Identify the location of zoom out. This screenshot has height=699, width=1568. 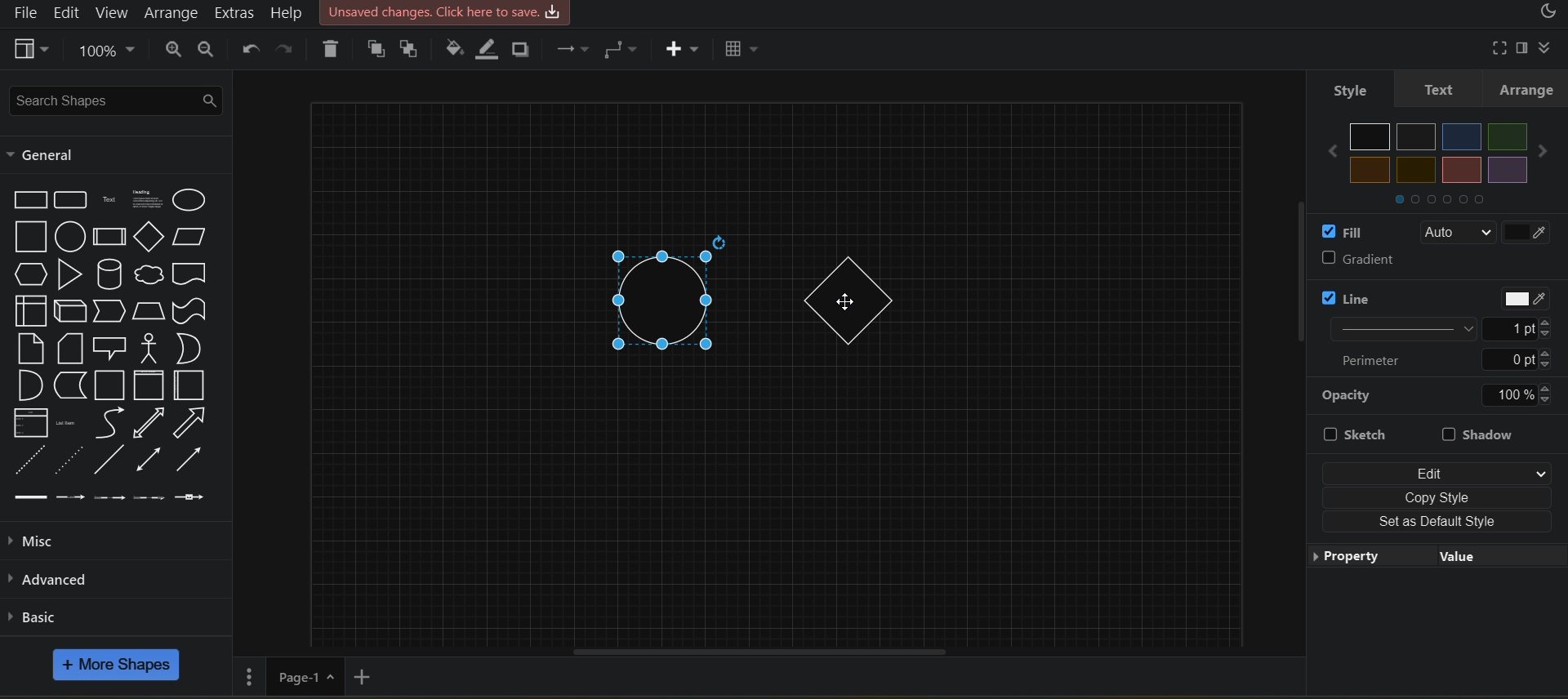
(207, 48).